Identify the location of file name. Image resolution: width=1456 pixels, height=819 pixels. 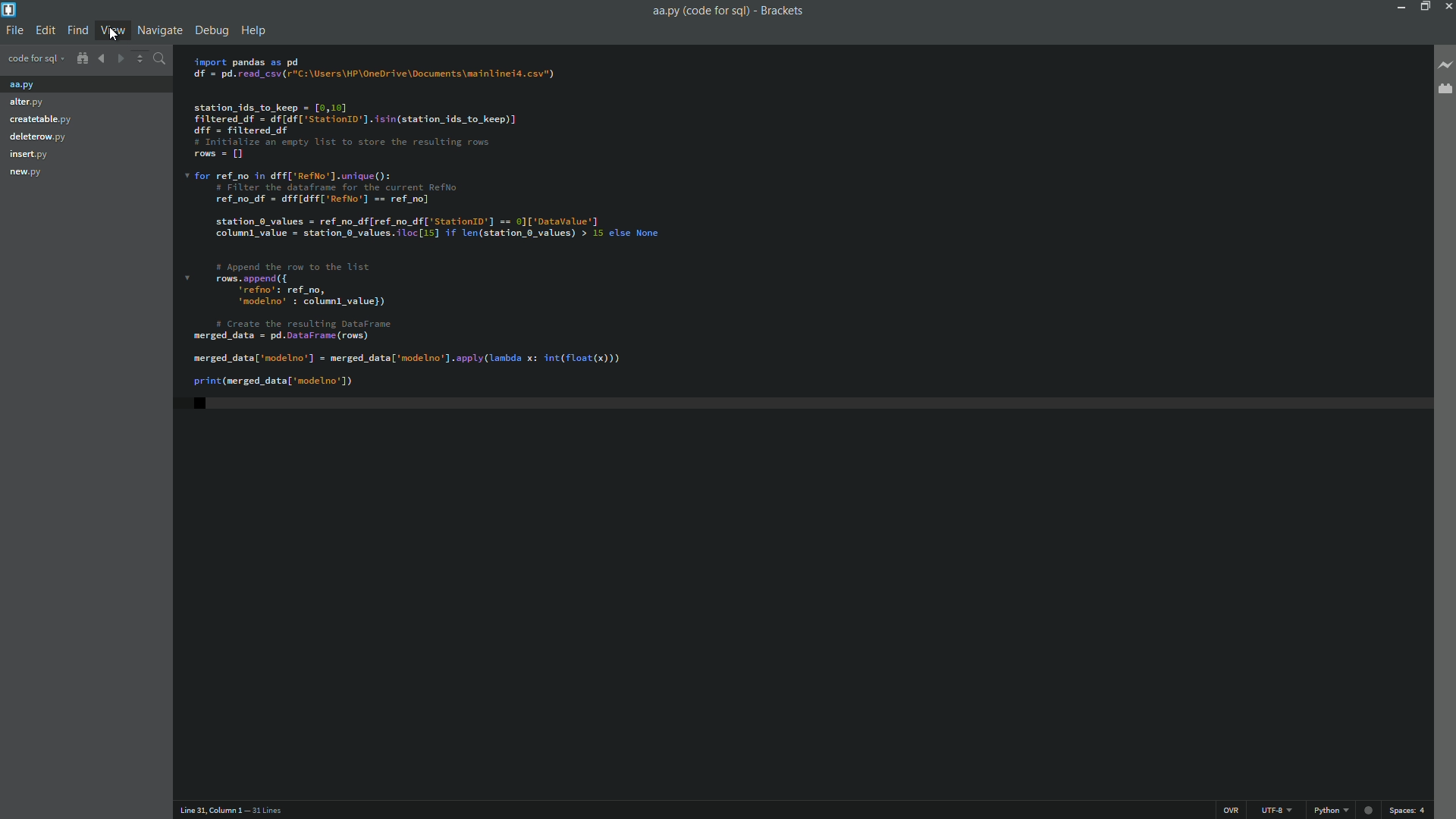
(701, 11).